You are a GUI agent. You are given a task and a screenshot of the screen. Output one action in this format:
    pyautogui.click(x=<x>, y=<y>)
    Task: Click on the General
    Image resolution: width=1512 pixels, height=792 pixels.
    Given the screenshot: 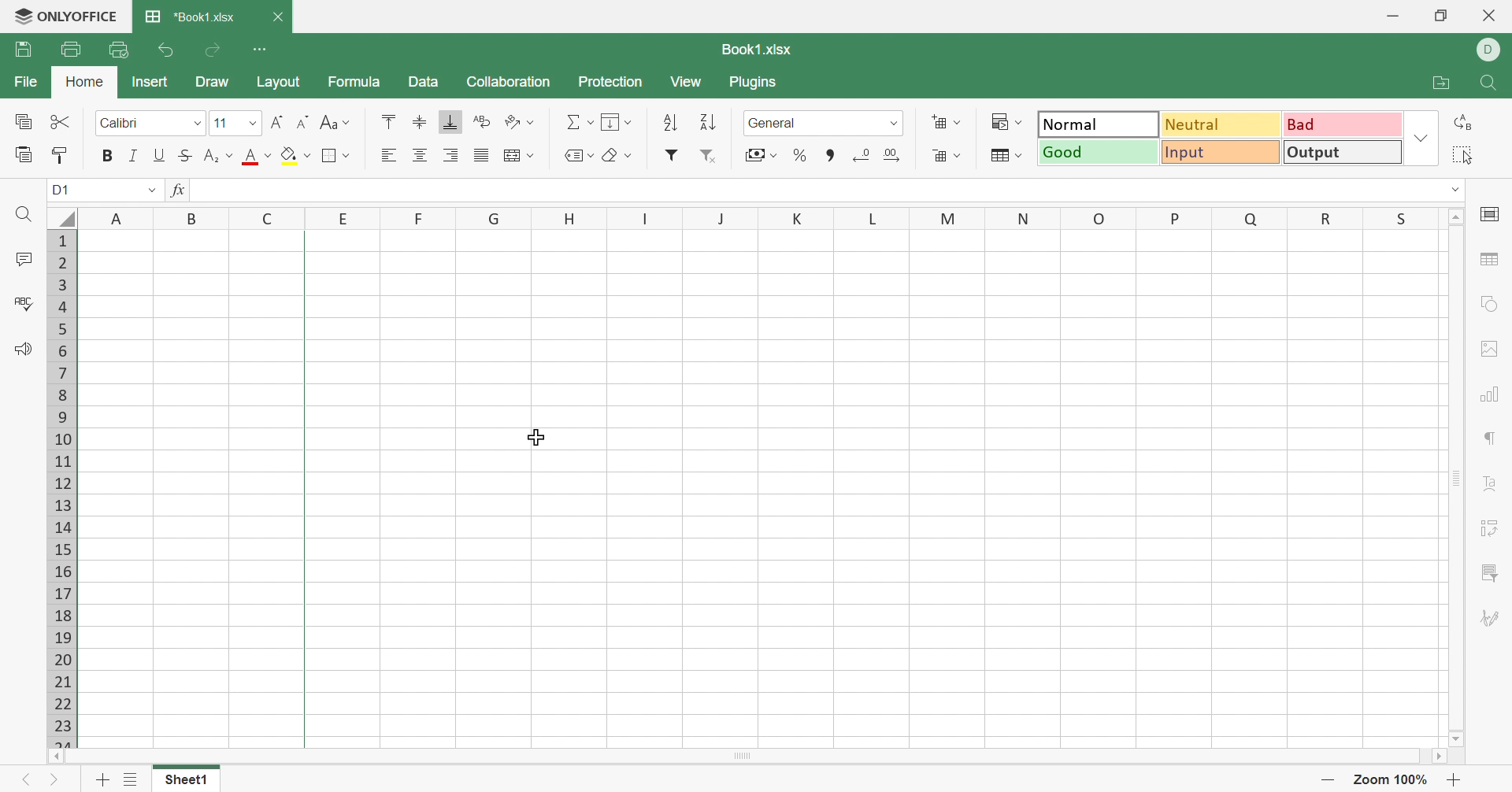 What is the action you would take?
    pyautogui.click(x=776, y=121)
    